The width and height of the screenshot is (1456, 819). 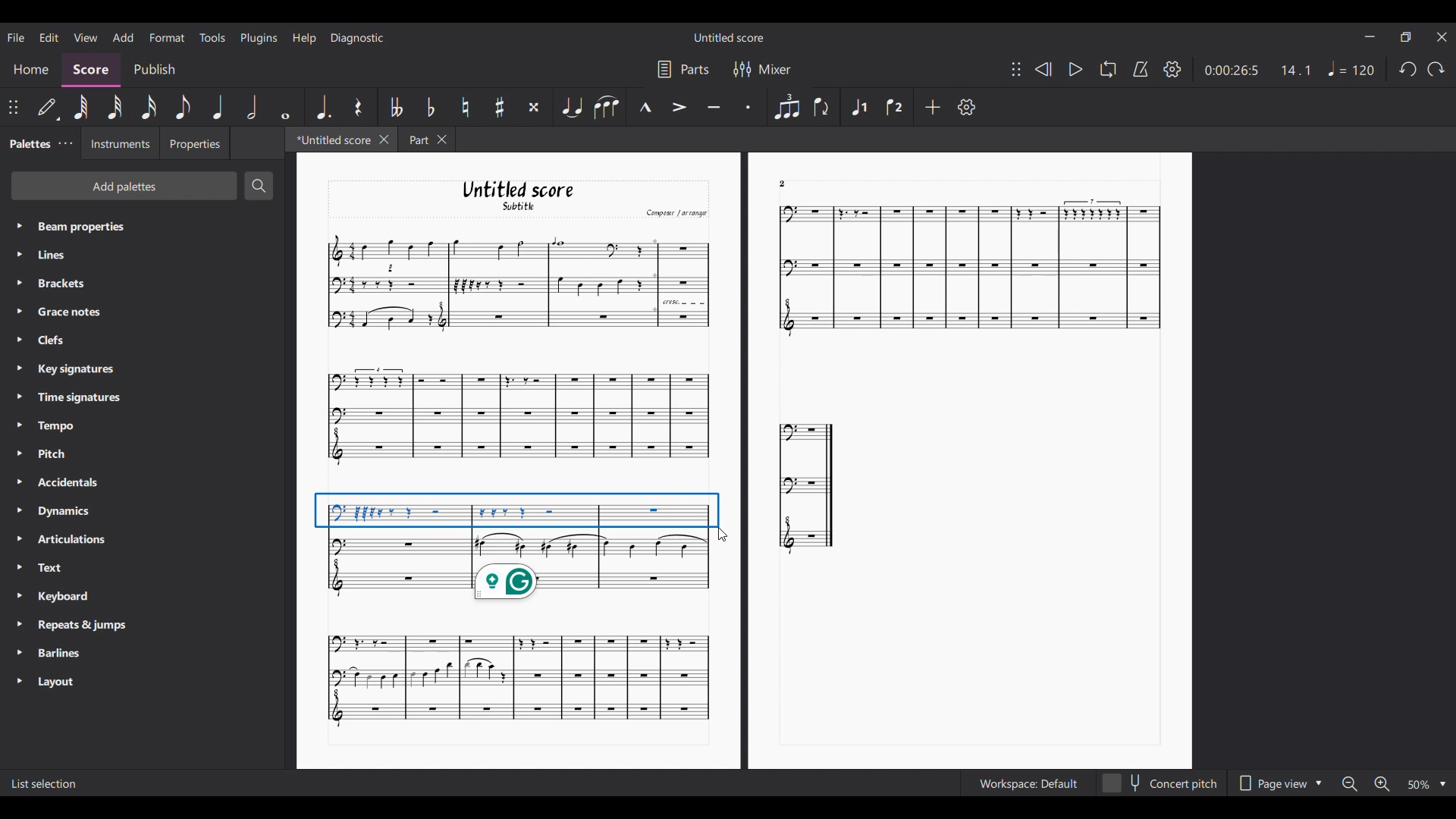 I want to click on Half note, so click(x=252, y=107).